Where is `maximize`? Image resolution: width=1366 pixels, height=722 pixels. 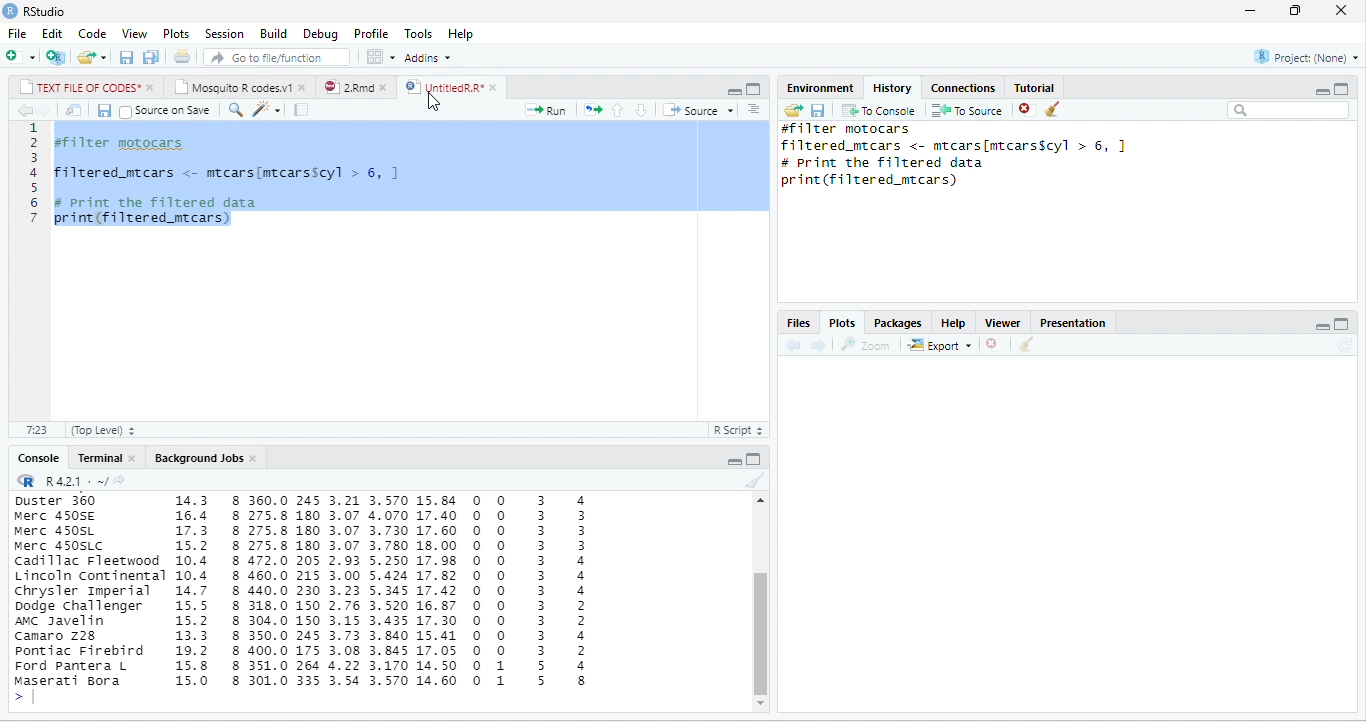
maximize is located at coordinates (1341, 89).